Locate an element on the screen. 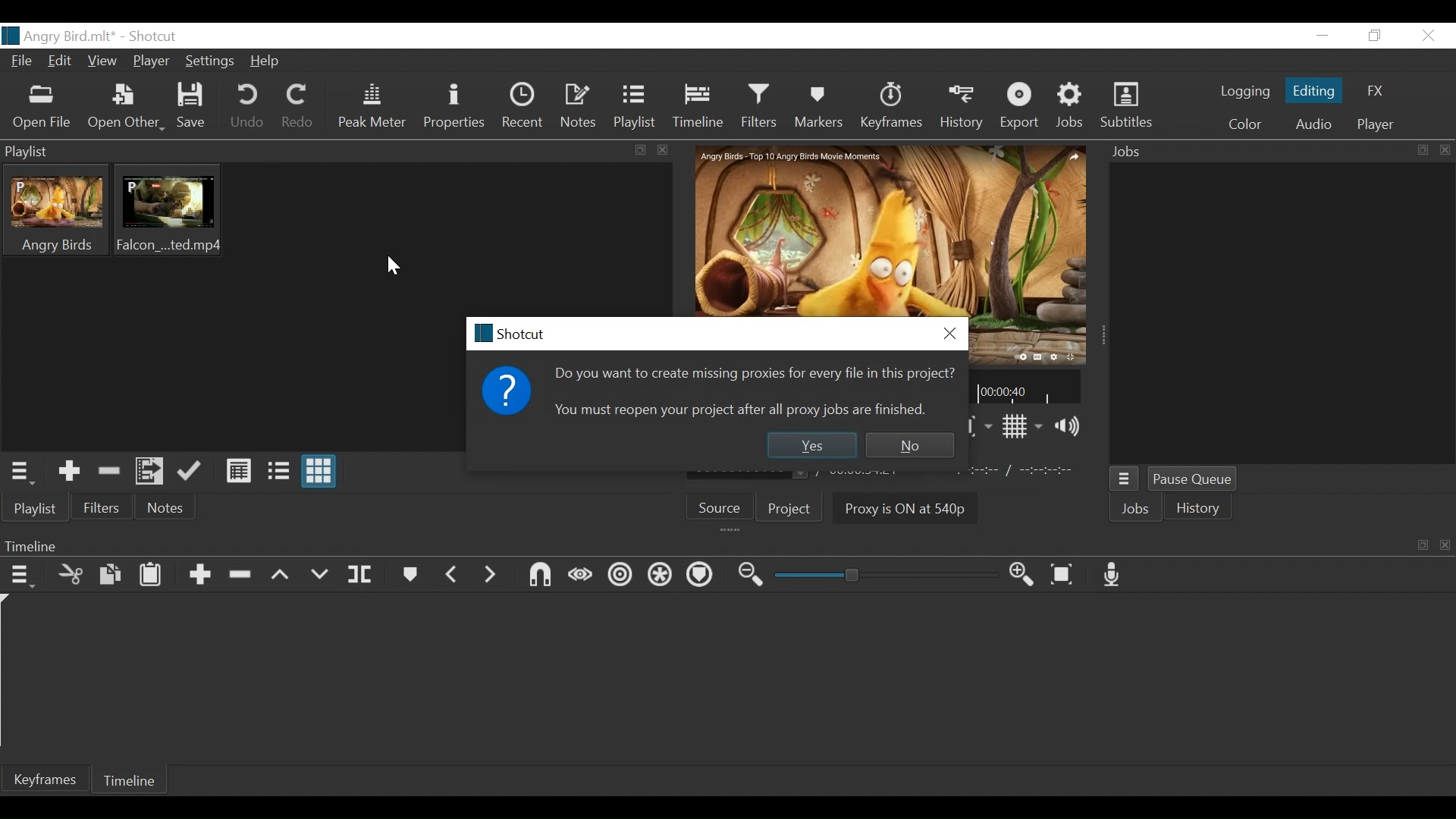 This screenshot has height=819, width=1456. Jobs Menu is located at coordinates (1123, 479).